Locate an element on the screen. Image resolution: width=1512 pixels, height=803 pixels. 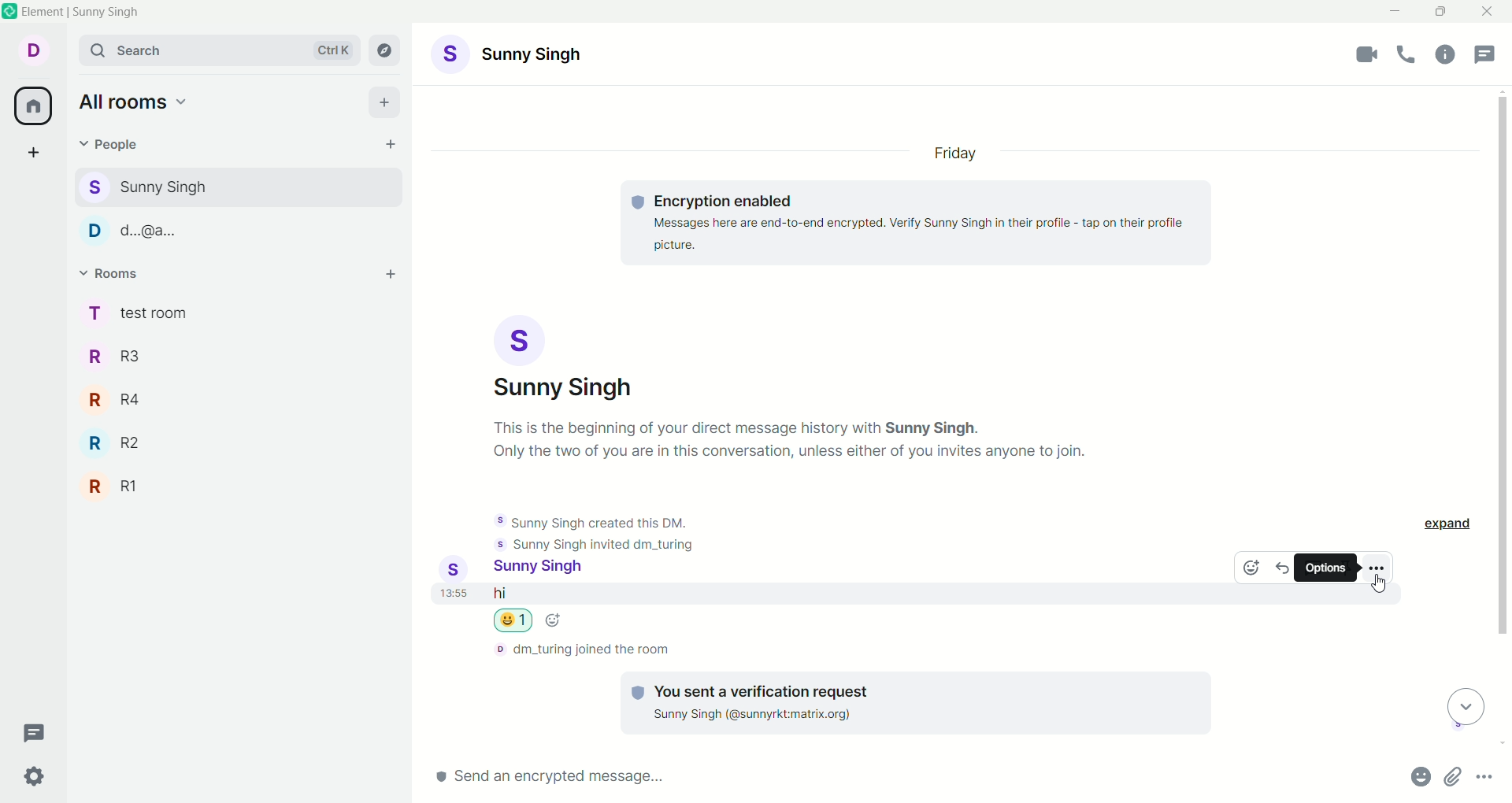
vertical scroll bar is located at coordinates (1503, 420).